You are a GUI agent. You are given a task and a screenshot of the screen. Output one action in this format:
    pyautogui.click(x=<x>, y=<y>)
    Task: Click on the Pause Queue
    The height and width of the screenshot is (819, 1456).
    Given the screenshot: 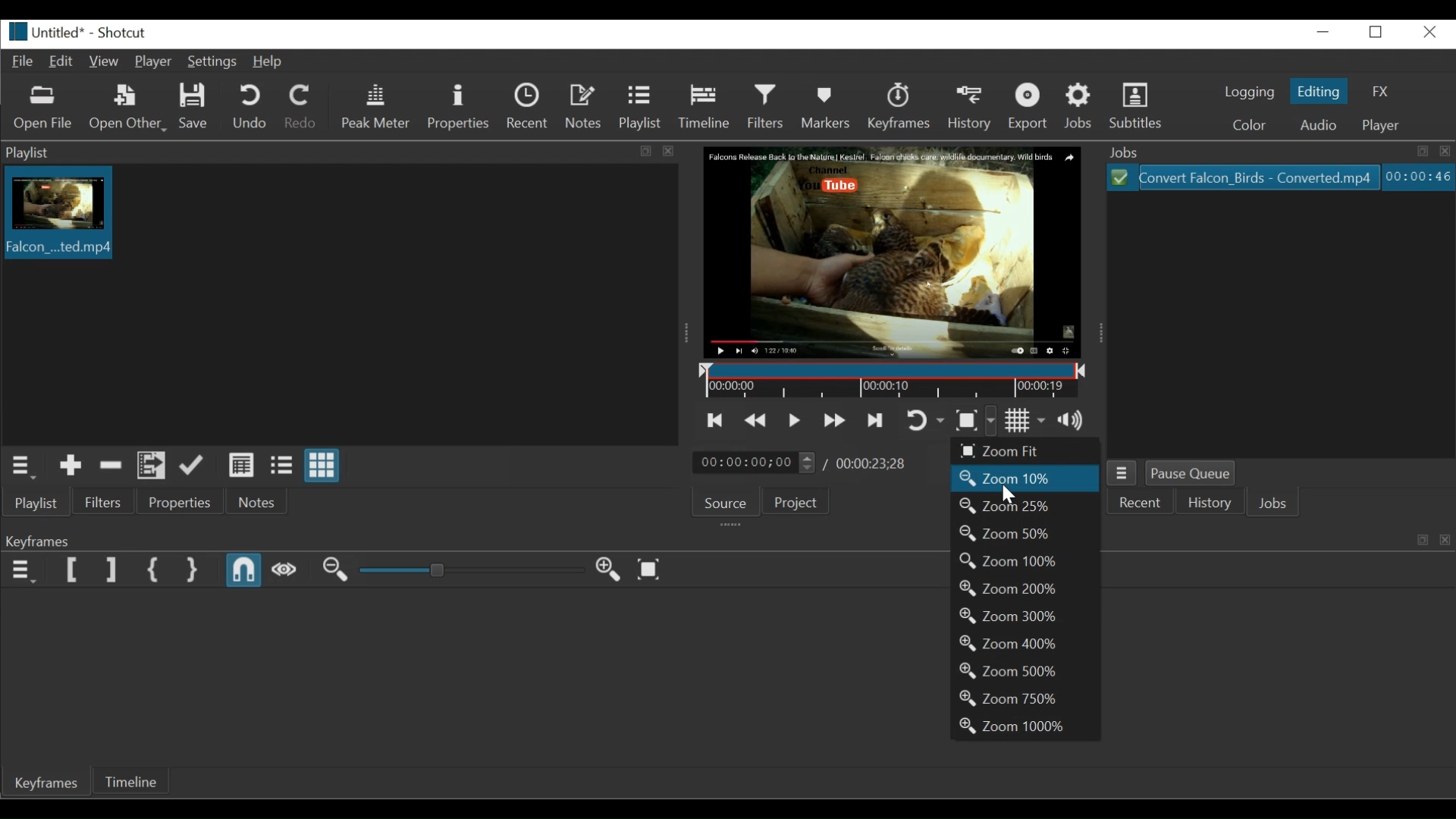 What is the action you would take?
    pyautogui.click(x=1189, y=475)
    